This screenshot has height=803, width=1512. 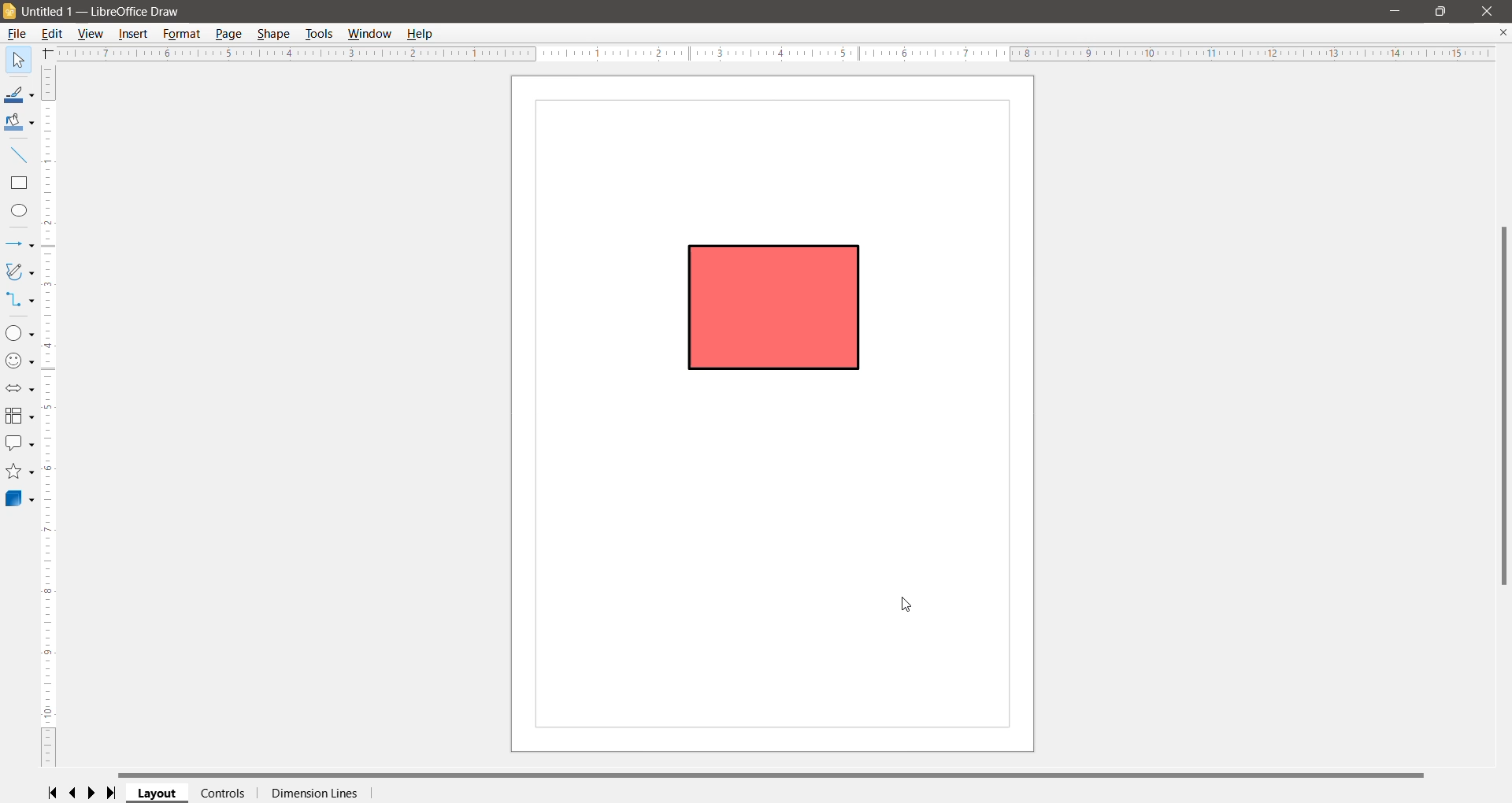 What do you see at coordinates (16, 35) in the screenshot?
I see `File` at bounding box center [16, 35].